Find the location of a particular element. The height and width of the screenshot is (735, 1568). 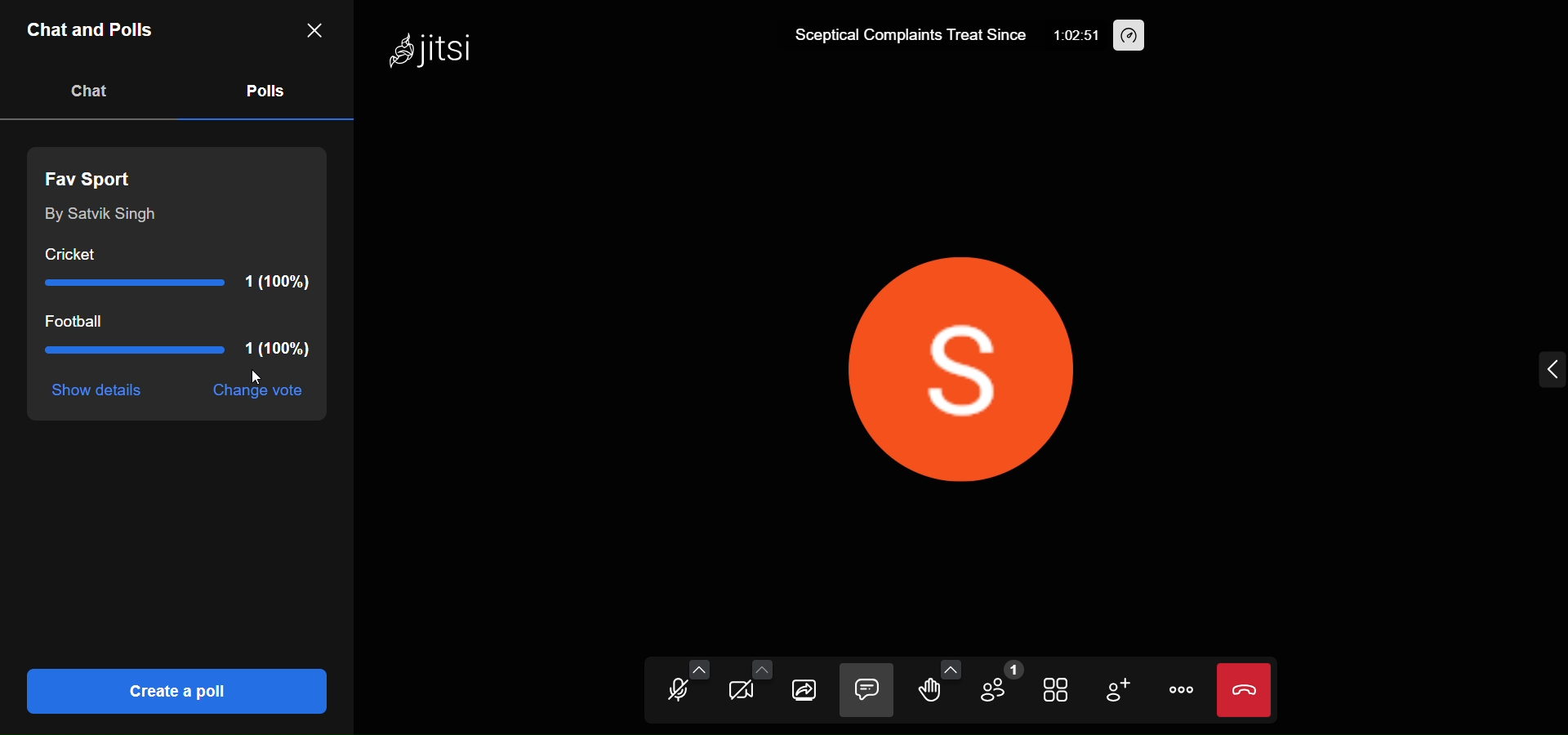

expand is located at coordinates (1550, 371).